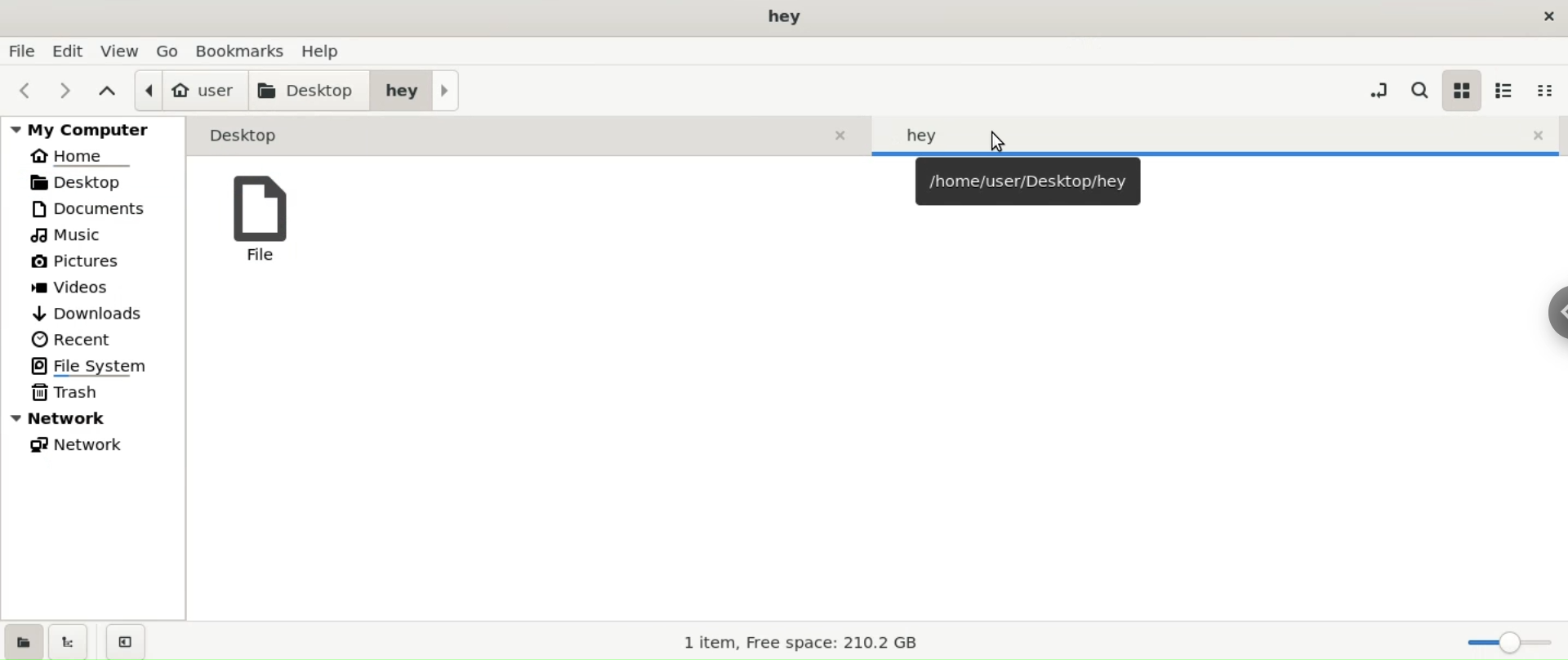 This screenshot has height=660, width=1568. What do you see at coordinates (66, 51) in the screenshot?
I see `edit` at bounding box center [66, 51].